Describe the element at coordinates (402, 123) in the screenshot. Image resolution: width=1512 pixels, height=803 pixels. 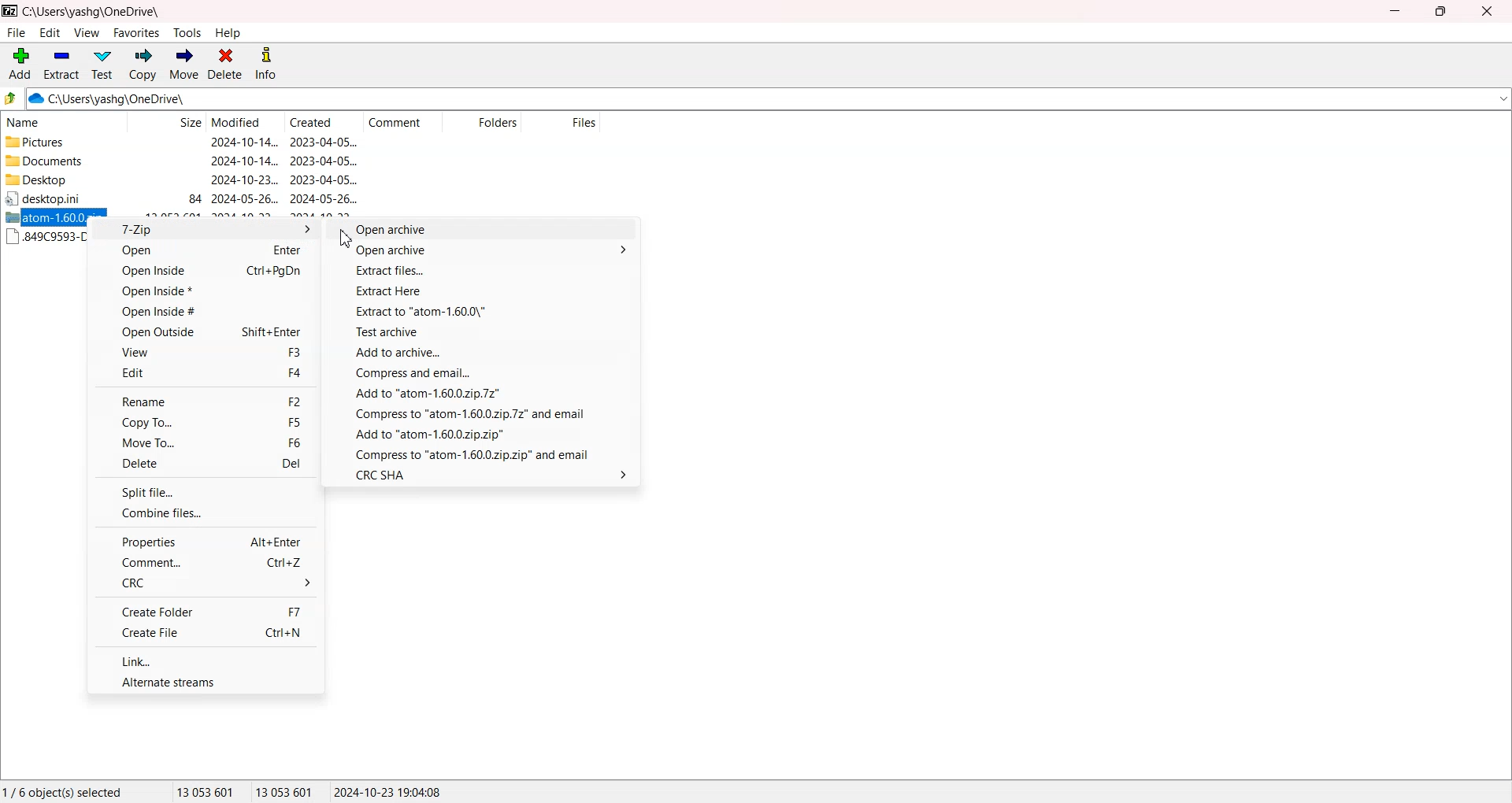
I see `Comment` at that location.